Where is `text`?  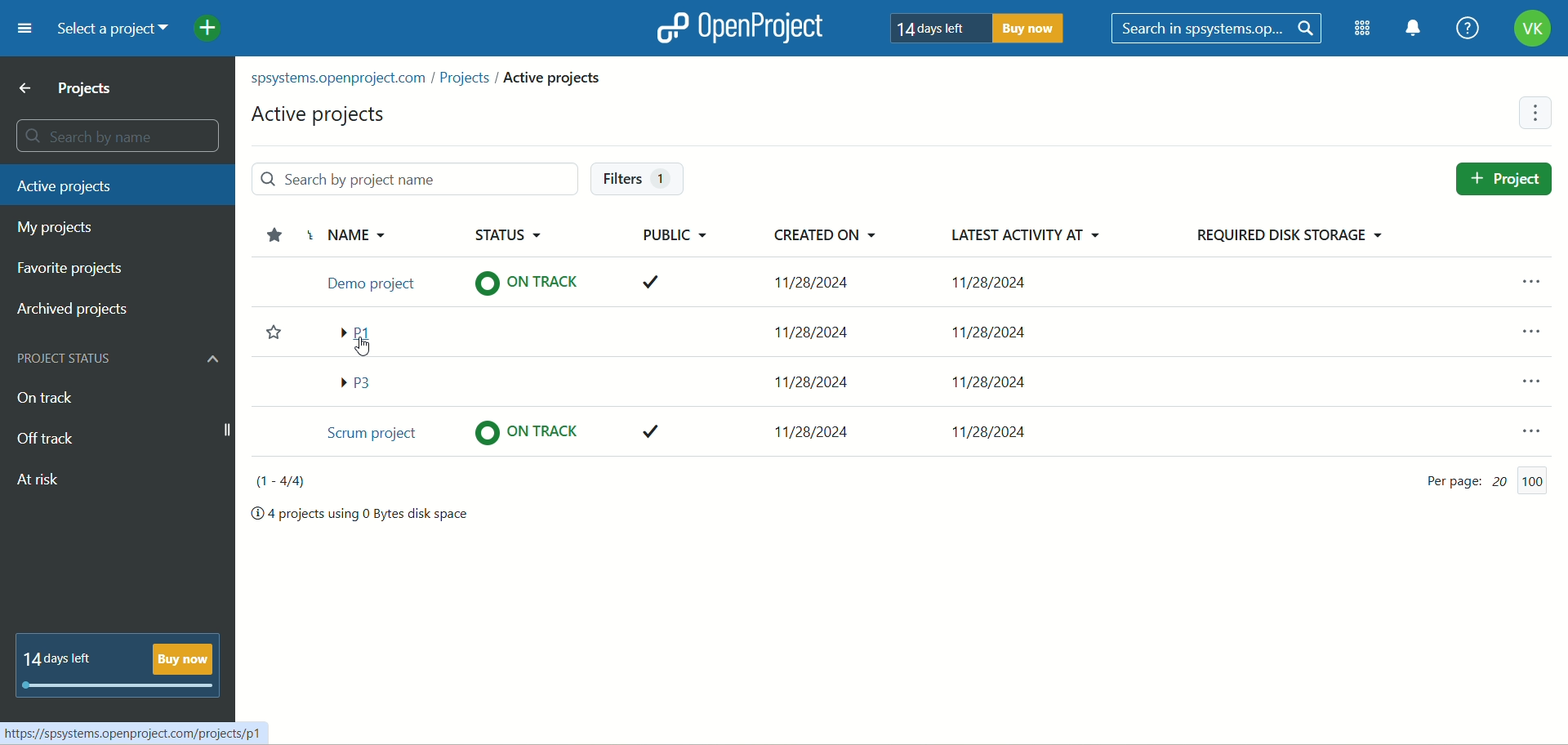 text is located at coordinates (363, 515).